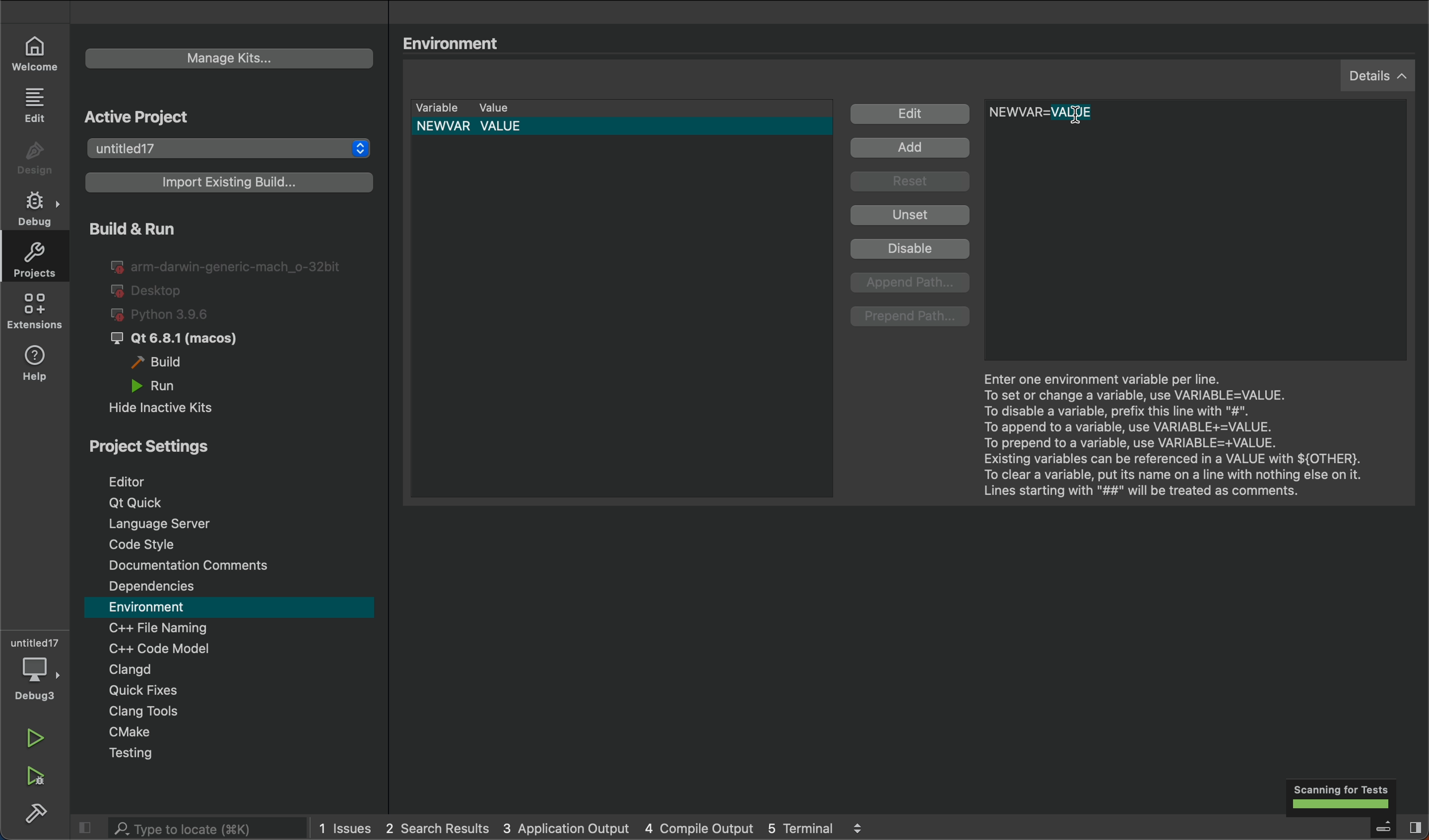  Describe the element at coordinates (231, 149) in the screenshot. I see `projects` at that location.